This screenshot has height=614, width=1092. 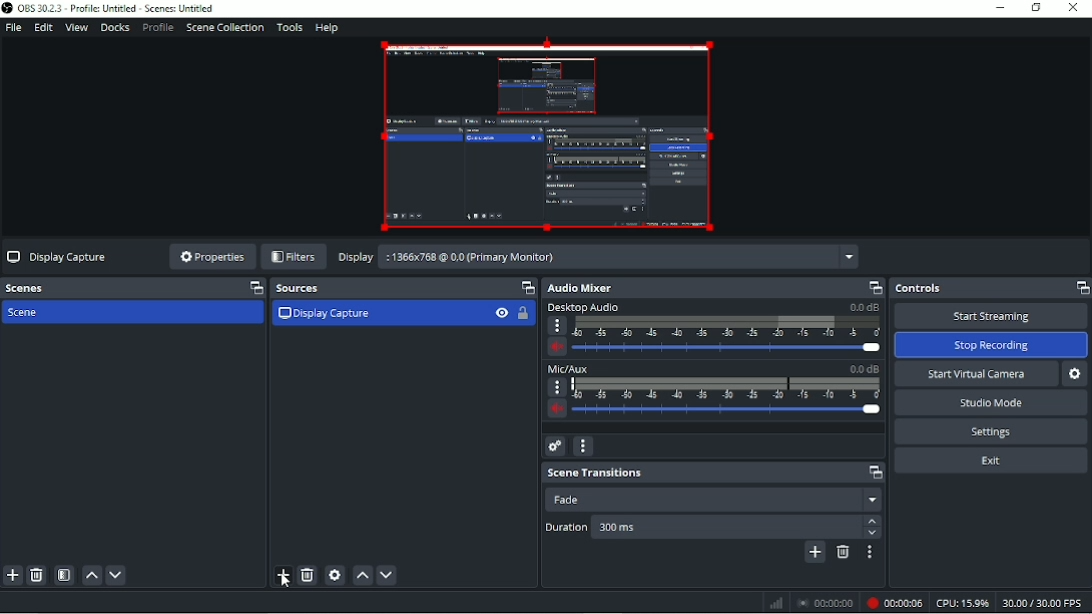 I want to click on File, so click(x=14, y=28).